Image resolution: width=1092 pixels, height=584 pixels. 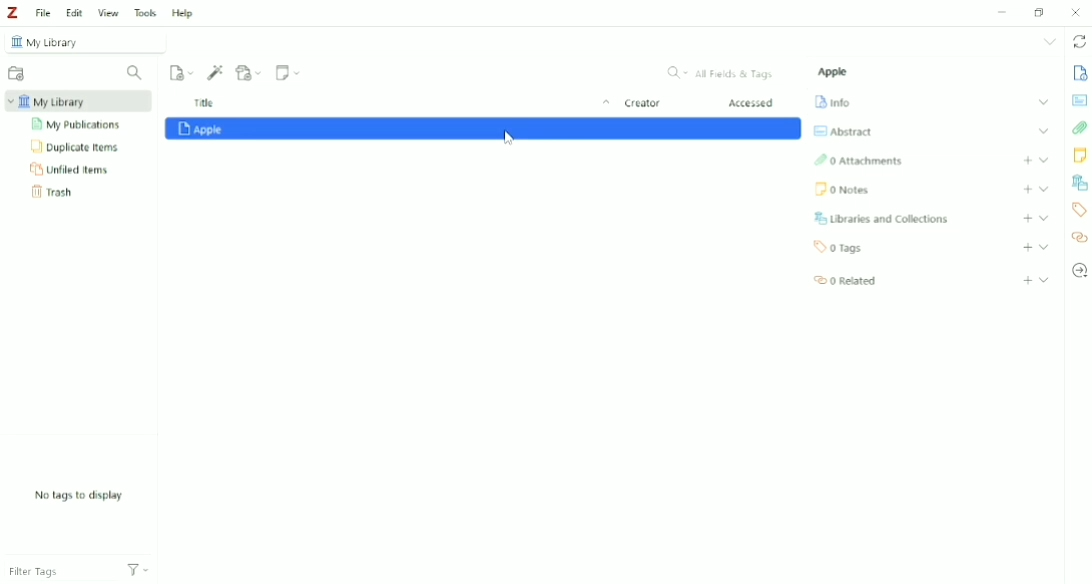 What do you see at coordinates (840, 248) in the screenshot?
I see `Tags` at bounding box center [840, 248].